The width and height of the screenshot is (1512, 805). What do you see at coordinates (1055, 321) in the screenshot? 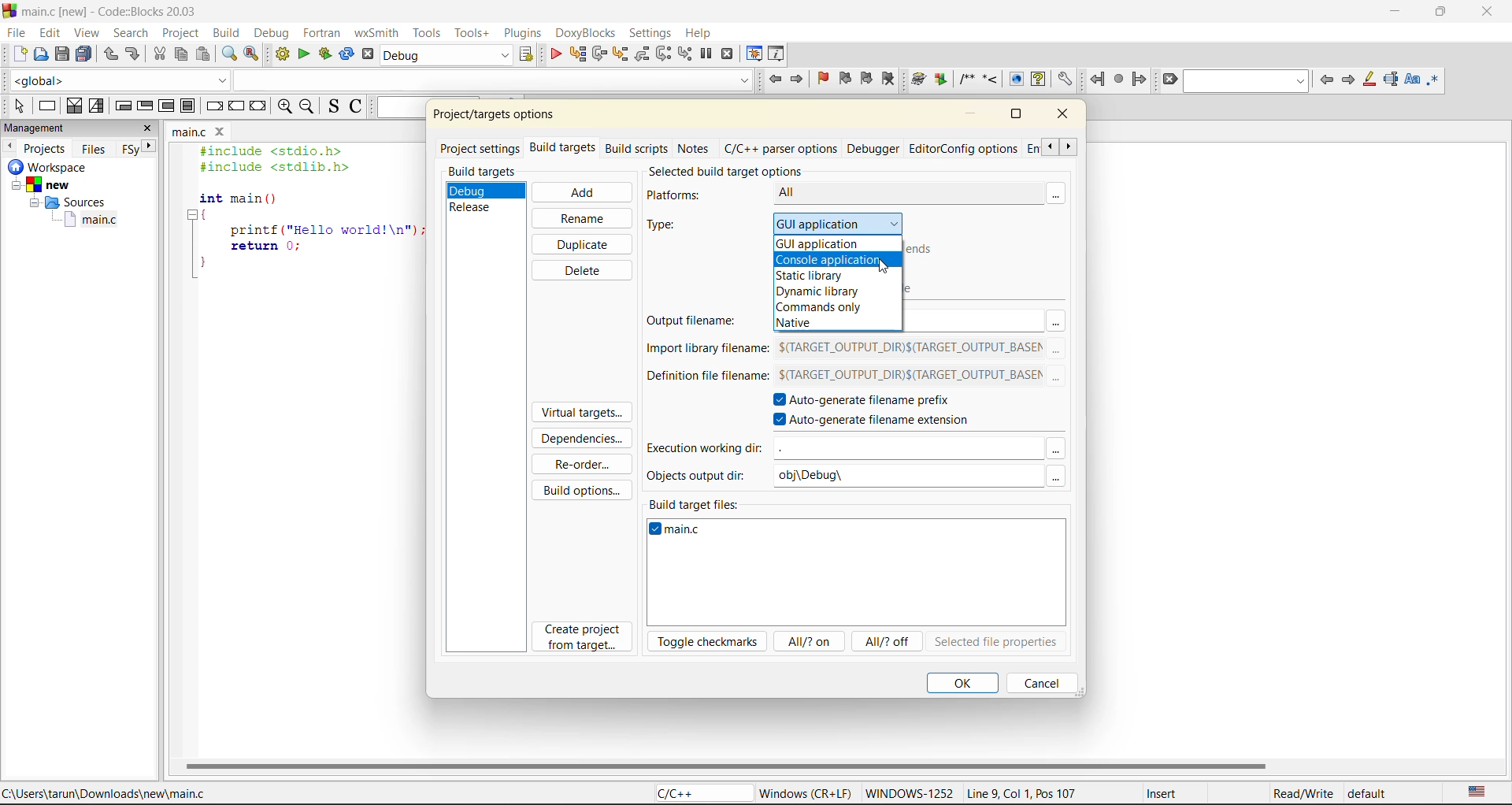
I see `More` at bounding box center [1055, 321].